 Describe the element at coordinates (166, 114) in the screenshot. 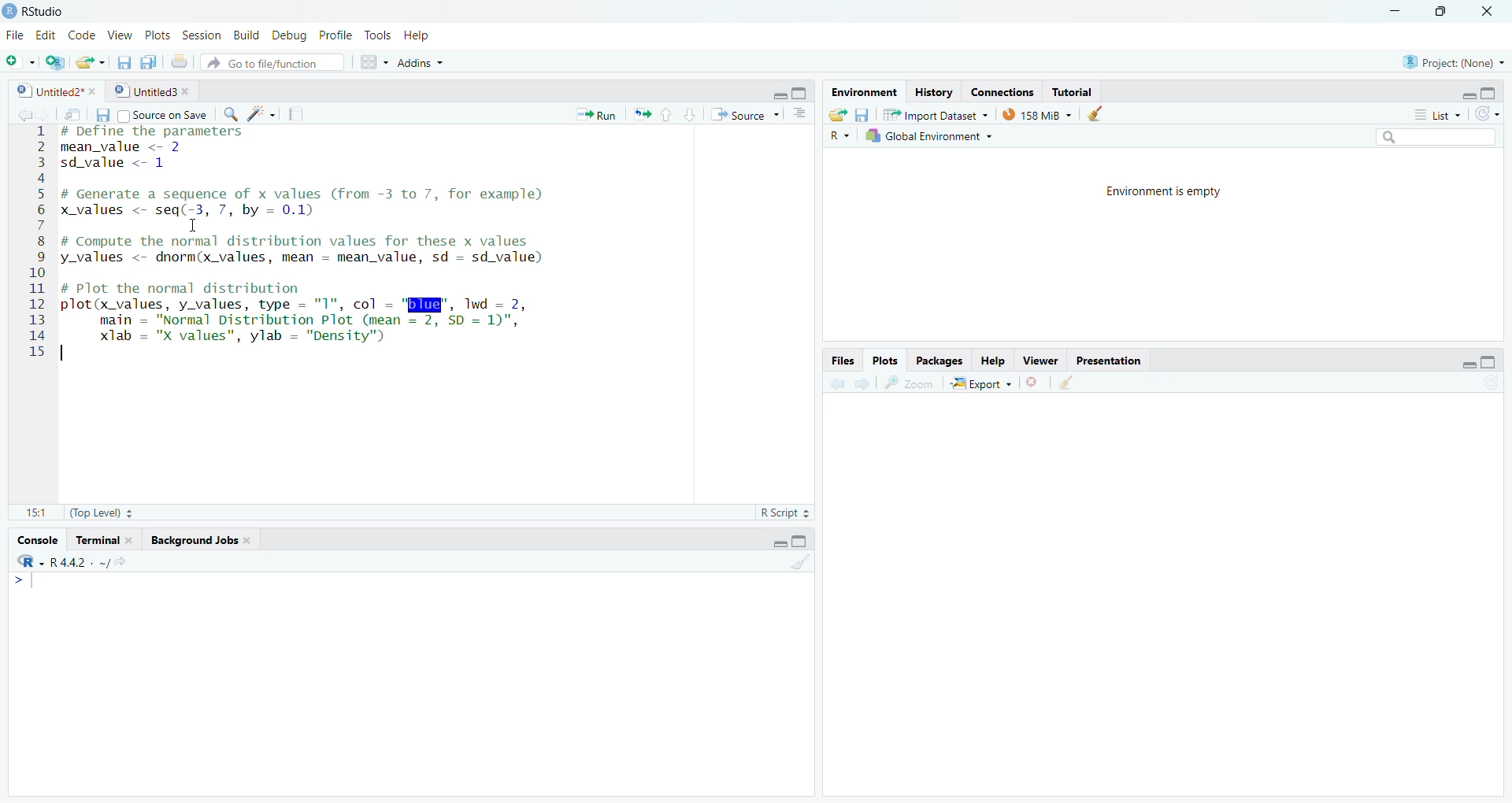

I see `Source on Save` at that location.